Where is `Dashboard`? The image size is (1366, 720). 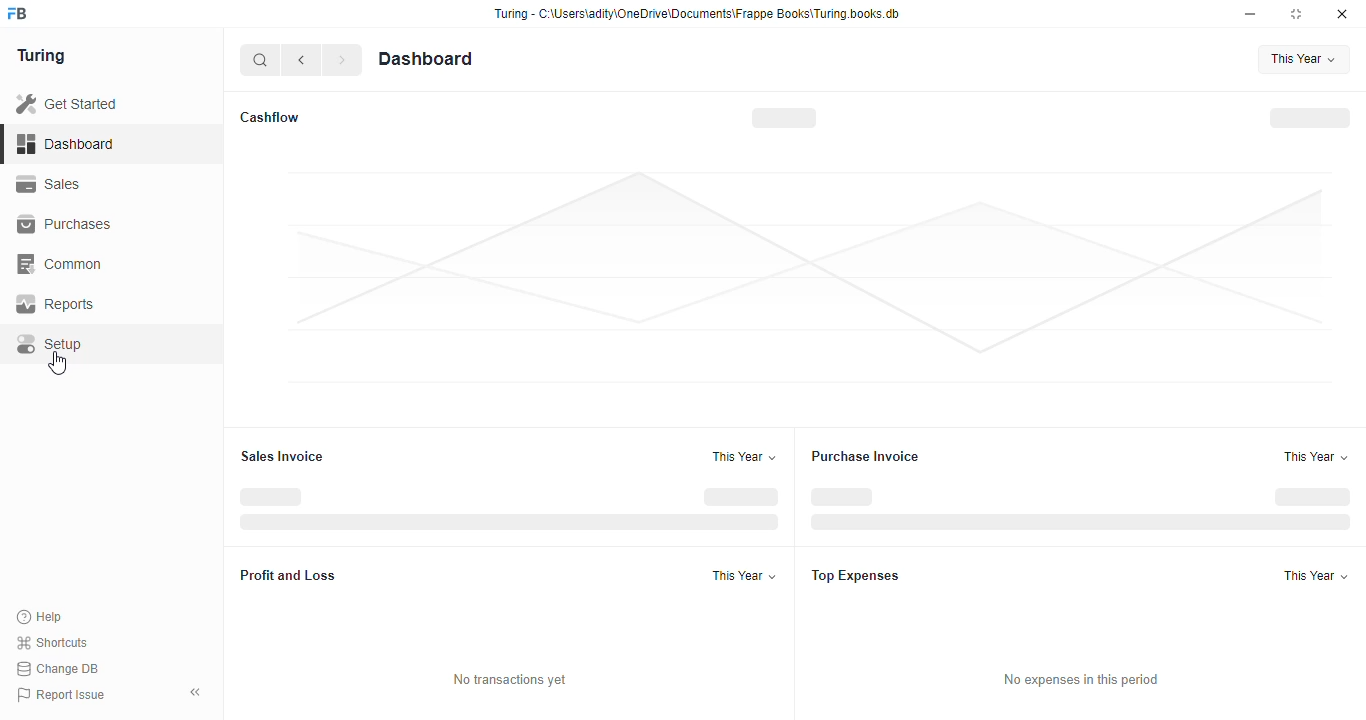
Dashboard is located at coordinates (104, 144).